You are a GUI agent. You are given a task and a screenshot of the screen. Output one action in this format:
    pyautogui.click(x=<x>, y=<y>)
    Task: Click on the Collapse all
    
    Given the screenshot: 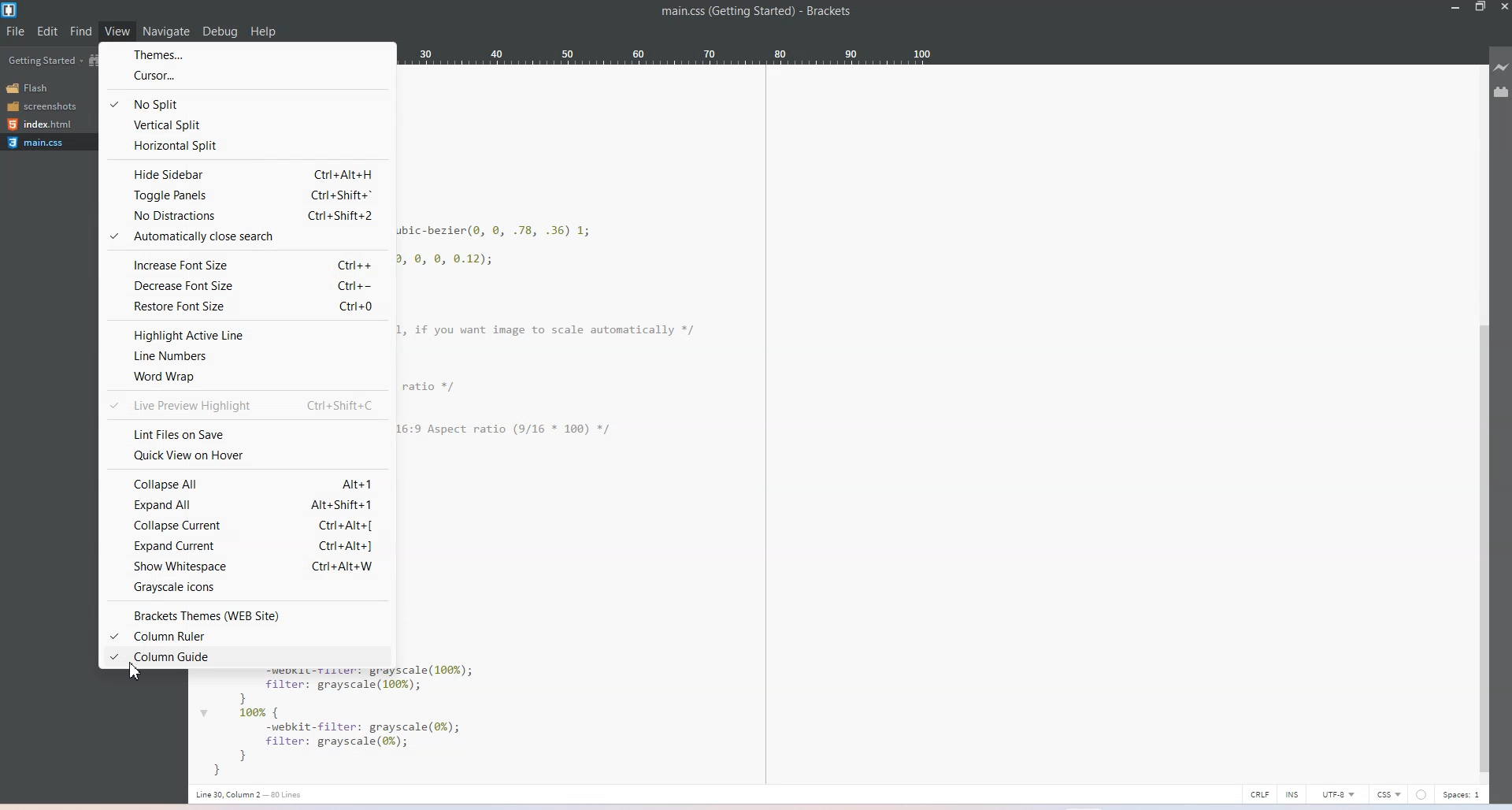 What is the action you would take?
    pyautogui.click(x=245, y=481)
    